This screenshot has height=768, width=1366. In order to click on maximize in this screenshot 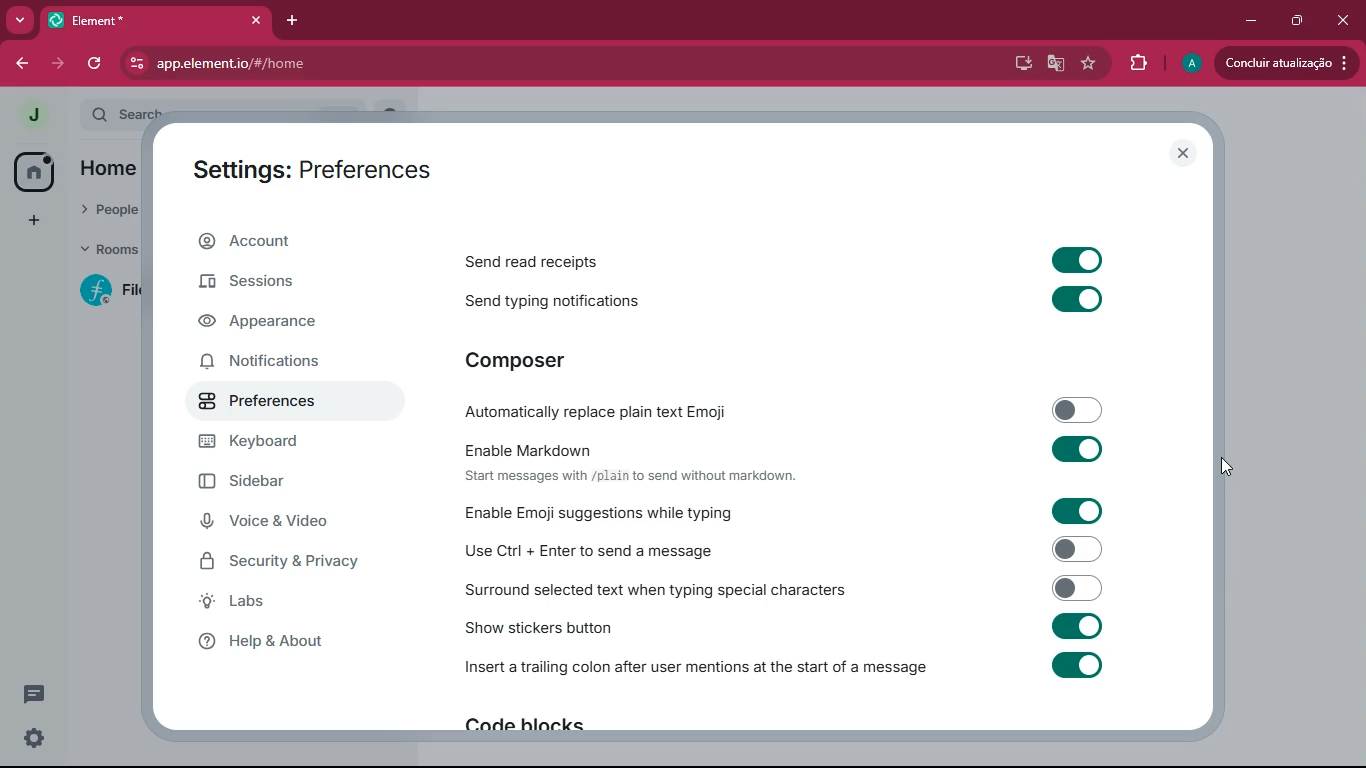, I will do `click(1295, 19)`.